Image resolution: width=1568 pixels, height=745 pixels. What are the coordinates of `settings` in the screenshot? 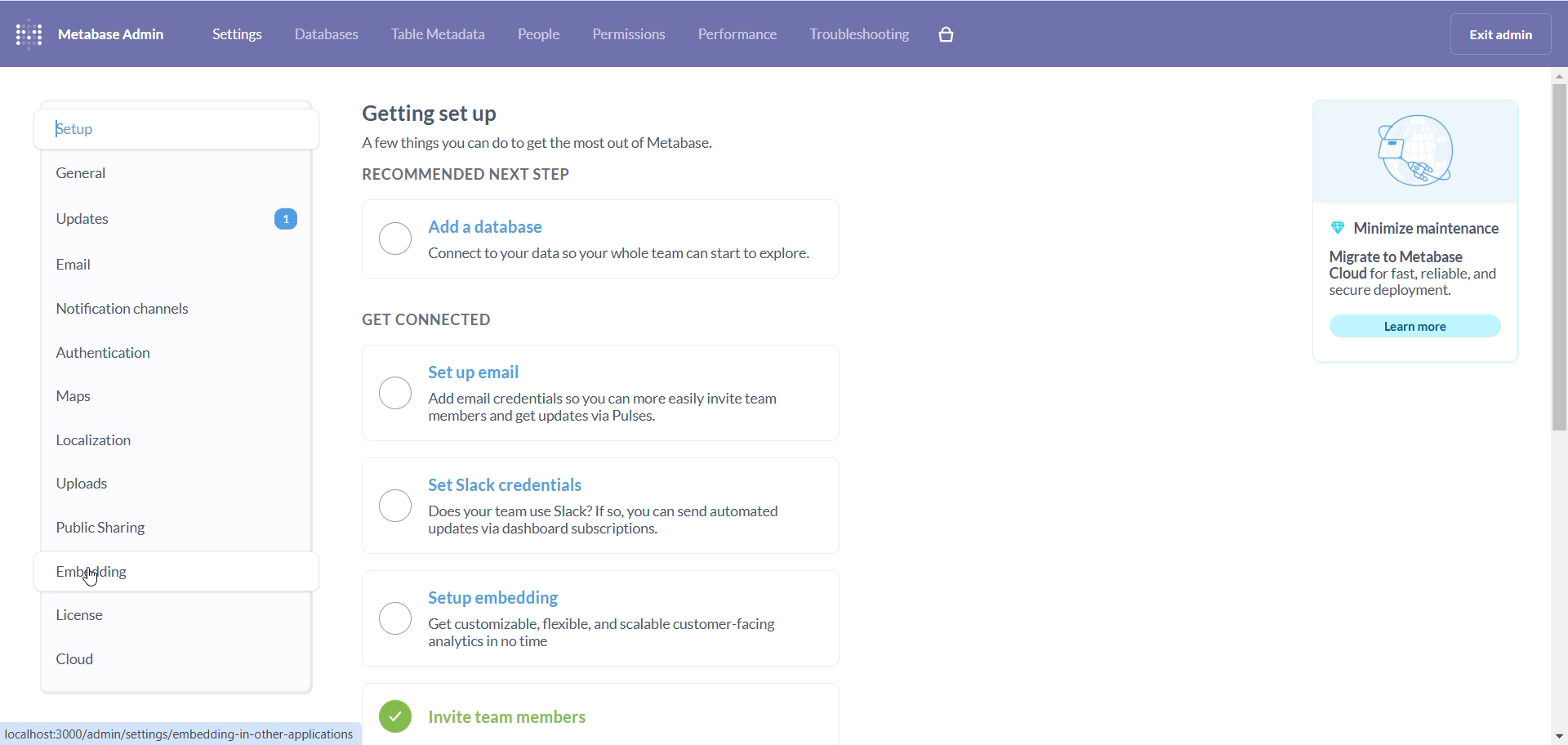 It's located at (234, 34).